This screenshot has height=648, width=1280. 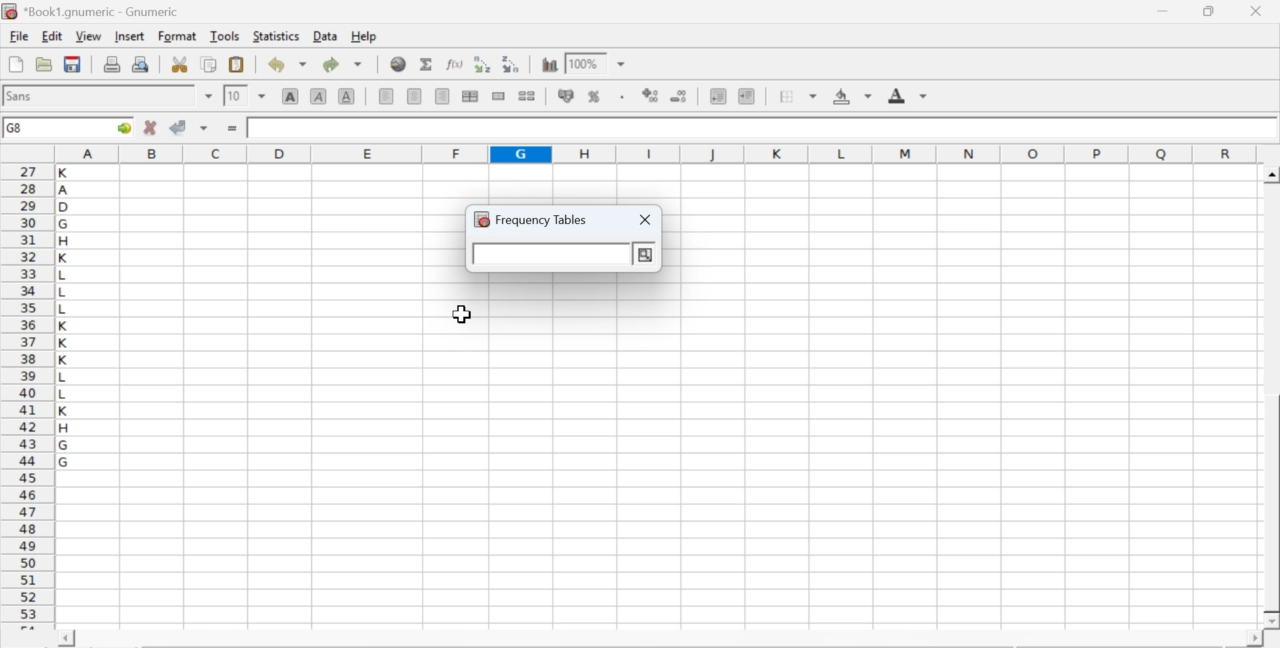 I want to click on decrease number of decimals displayed, so click(x=678, y=97).